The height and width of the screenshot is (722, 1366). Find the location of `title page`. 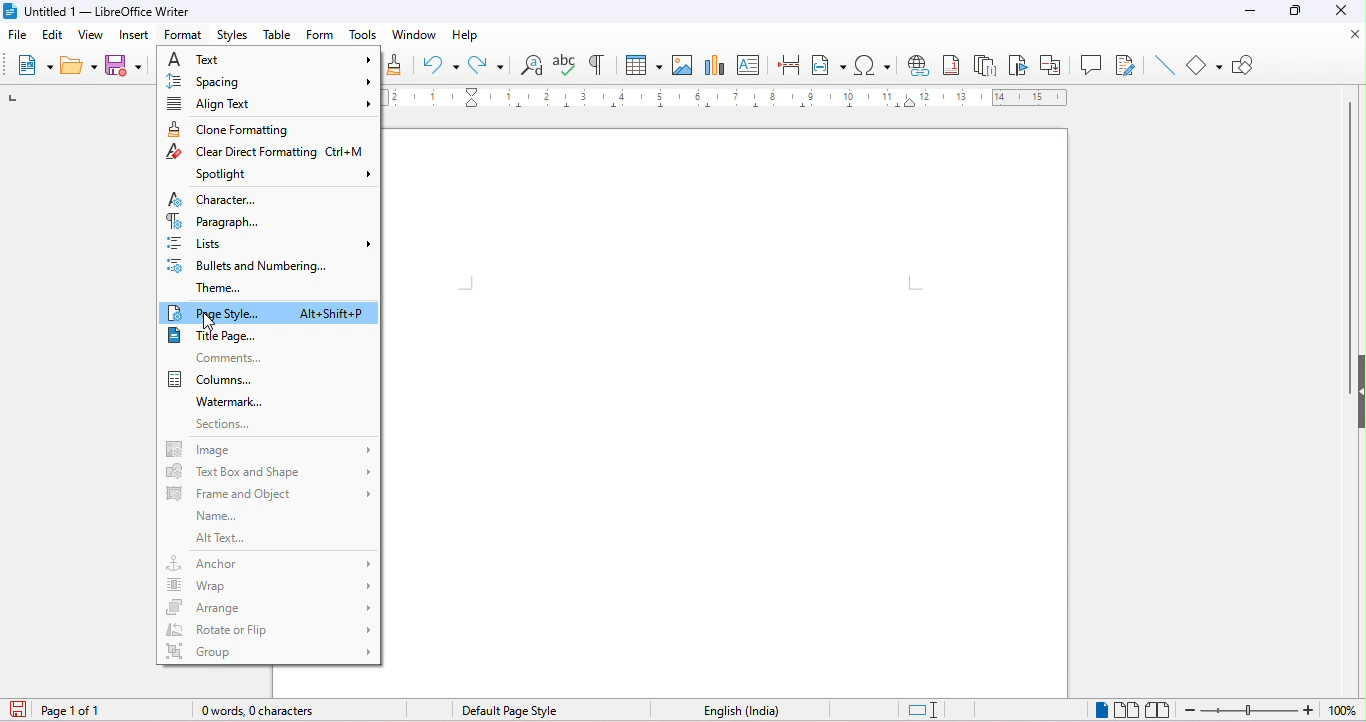

title page is located at coordinates (222, 335).